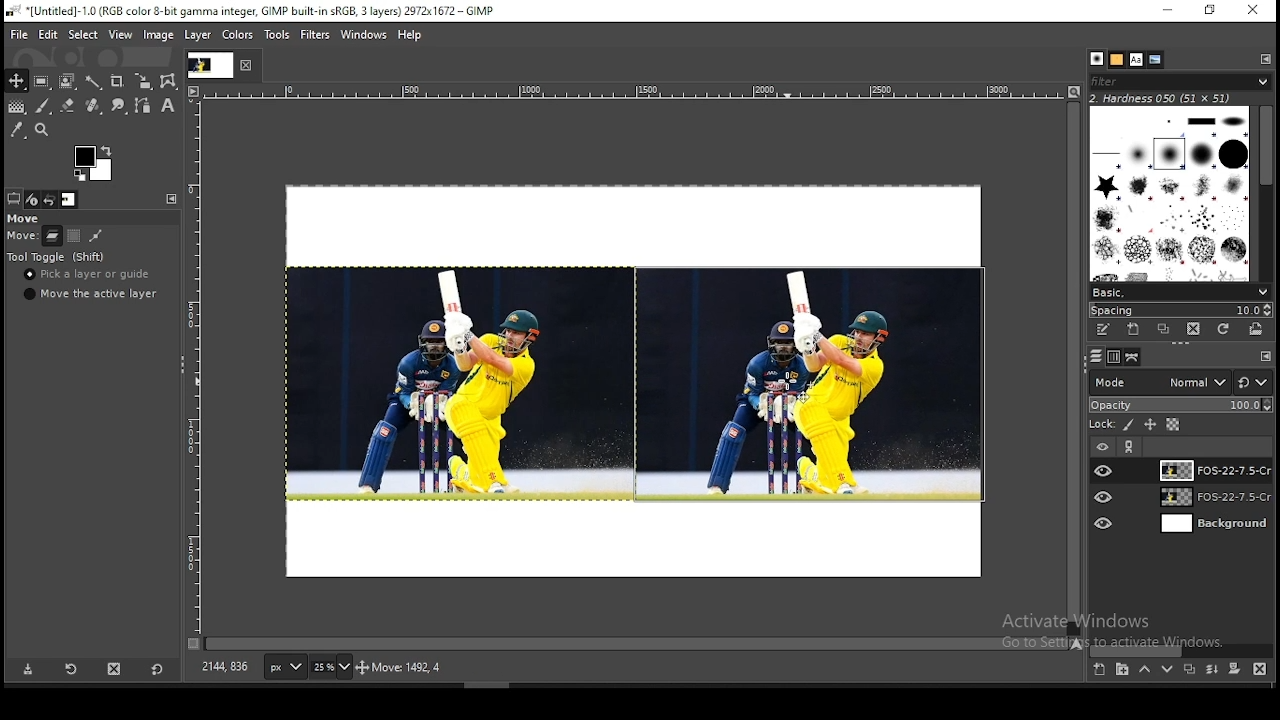  Describe the element at coordinates (1267, 190) in the screenshot. I see `Scroll bar` at that location.